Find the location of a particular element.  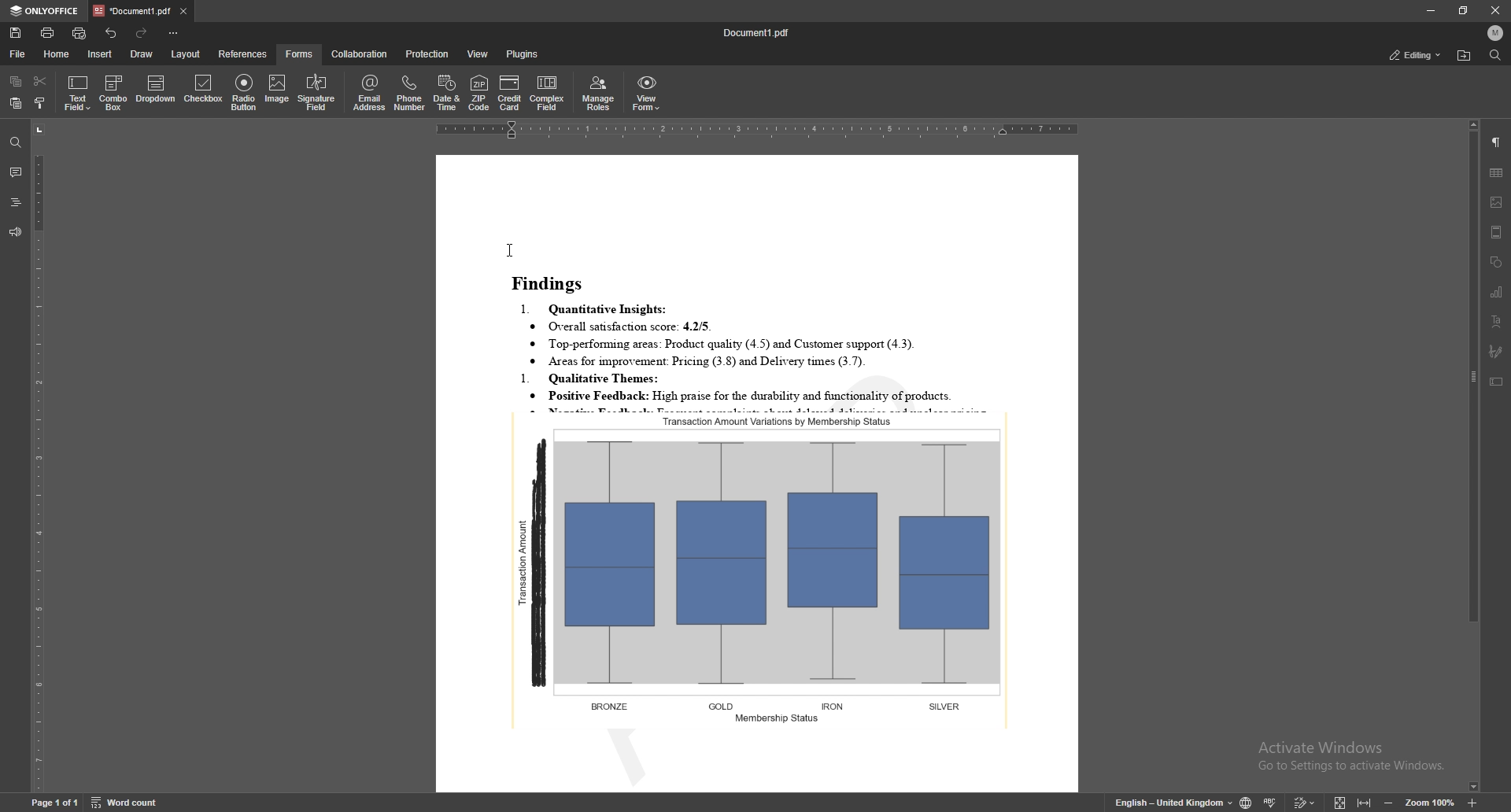

email address is located at coordinates (370, 92).